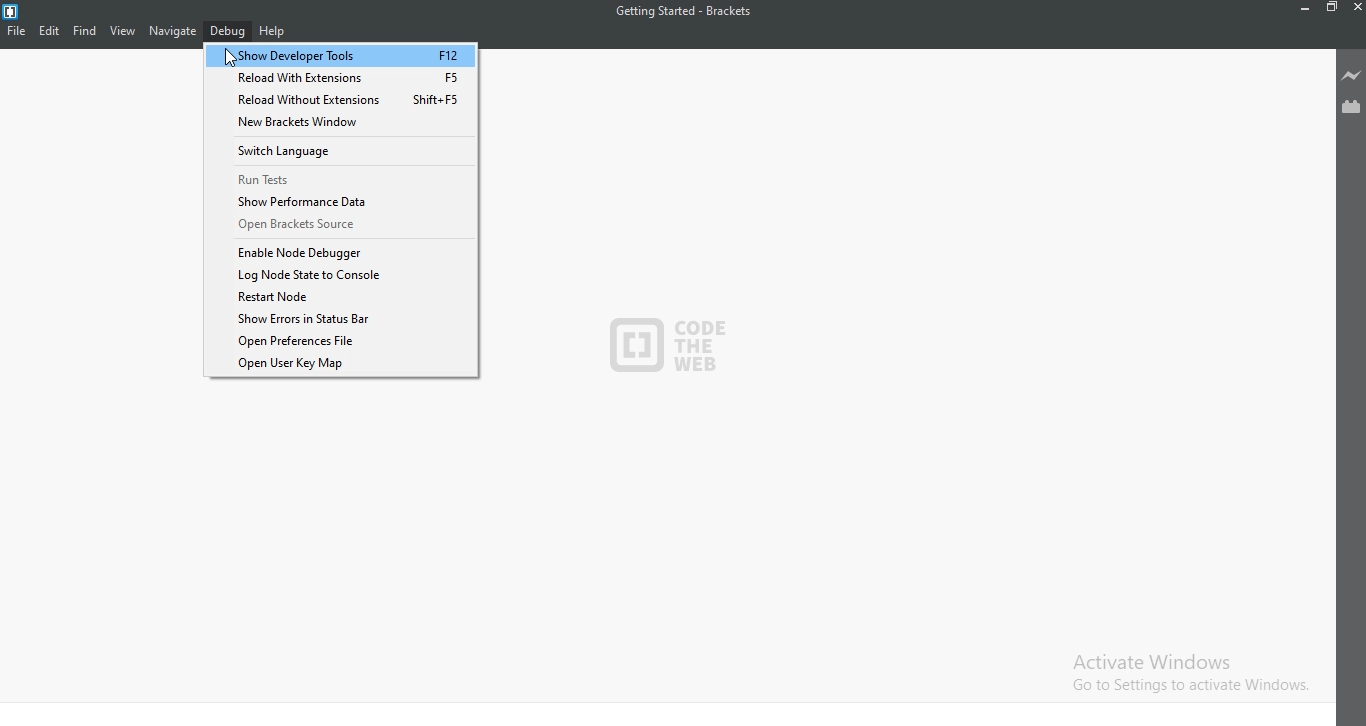 The width and height of the screenshot is (1366, 726). Describe the element at coordinates (1351, 104) in the screenshot. I see `Extension Manager` at that location.